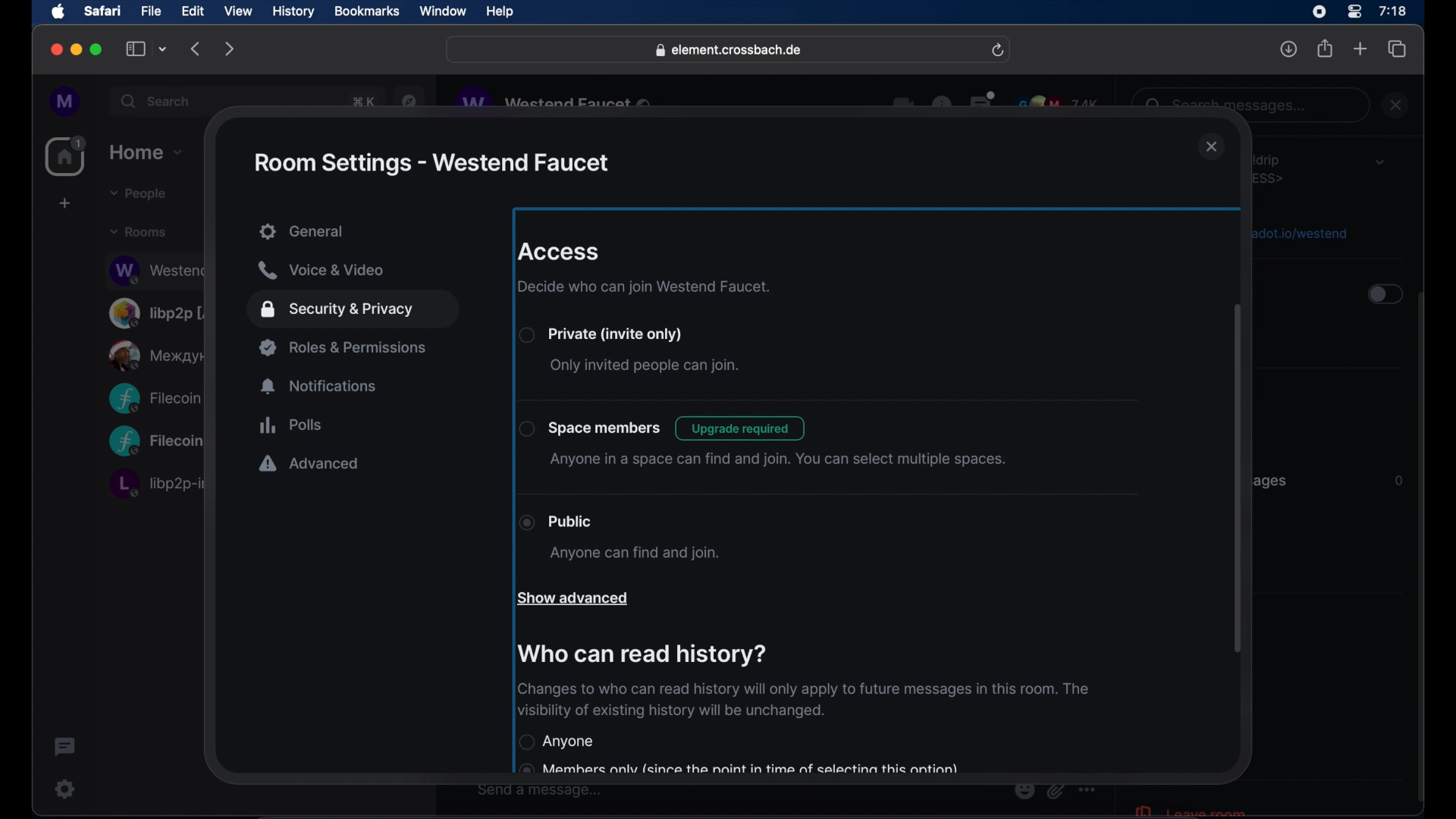  What do you see at coordinates (155, 483) in the screenshot?
I see `obscure` at bounding box center [155, 483].